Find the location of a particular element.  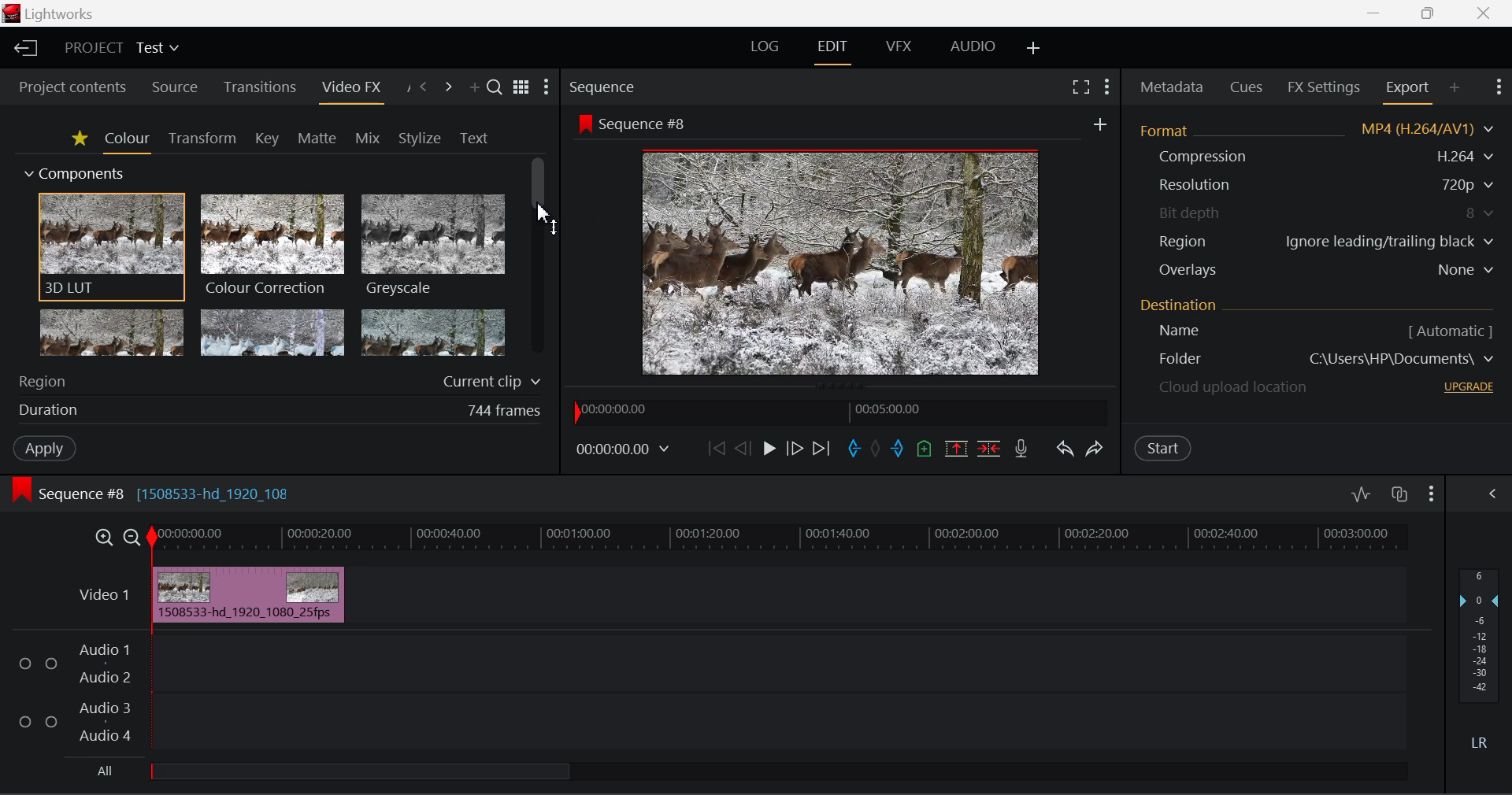

00:00:00.00 is located at coordinates (617, 410).